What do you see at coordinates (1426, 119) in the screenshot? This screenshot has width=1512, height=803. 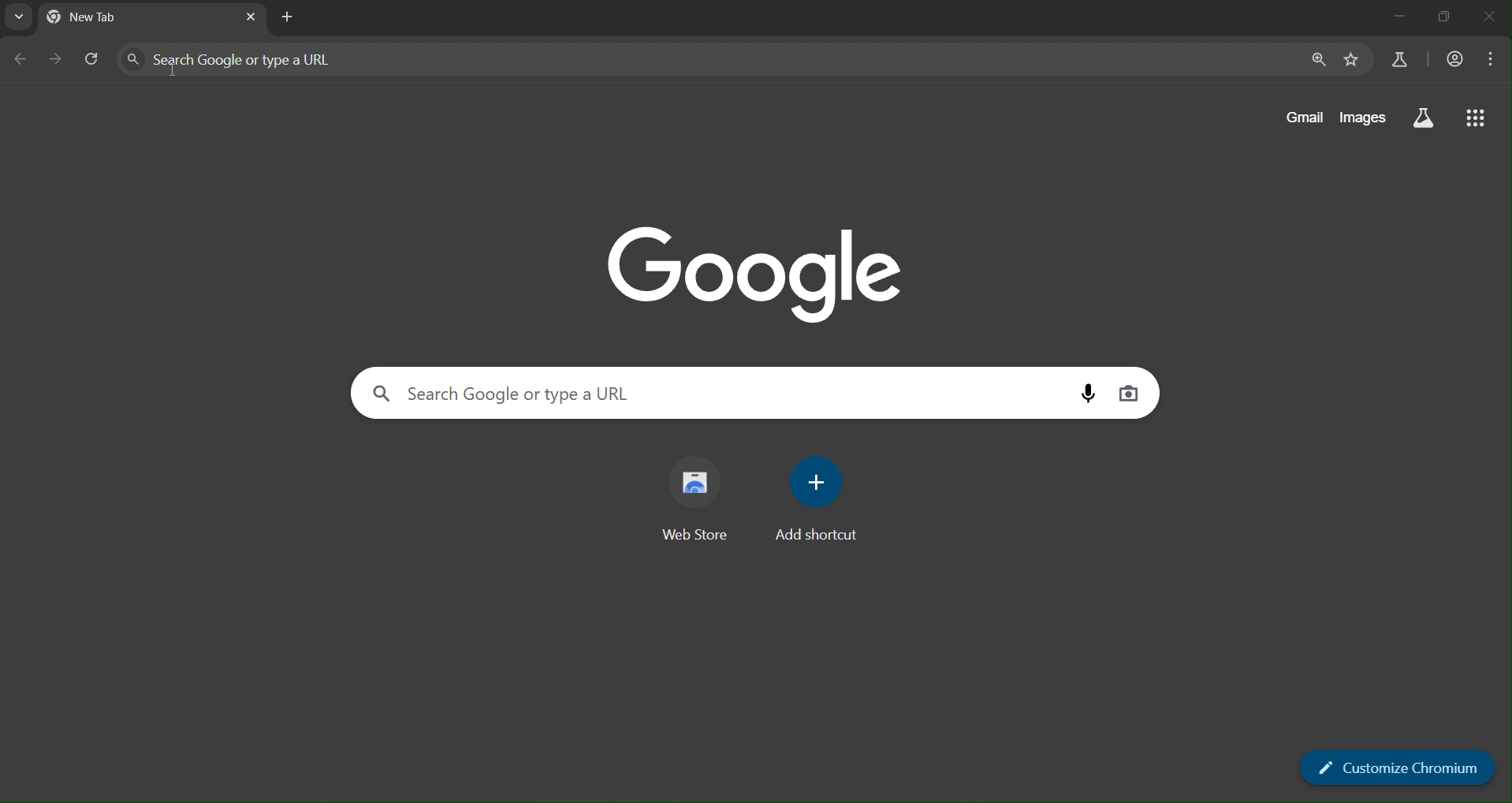 I see `search labs` at bounding box center [1426, 119].